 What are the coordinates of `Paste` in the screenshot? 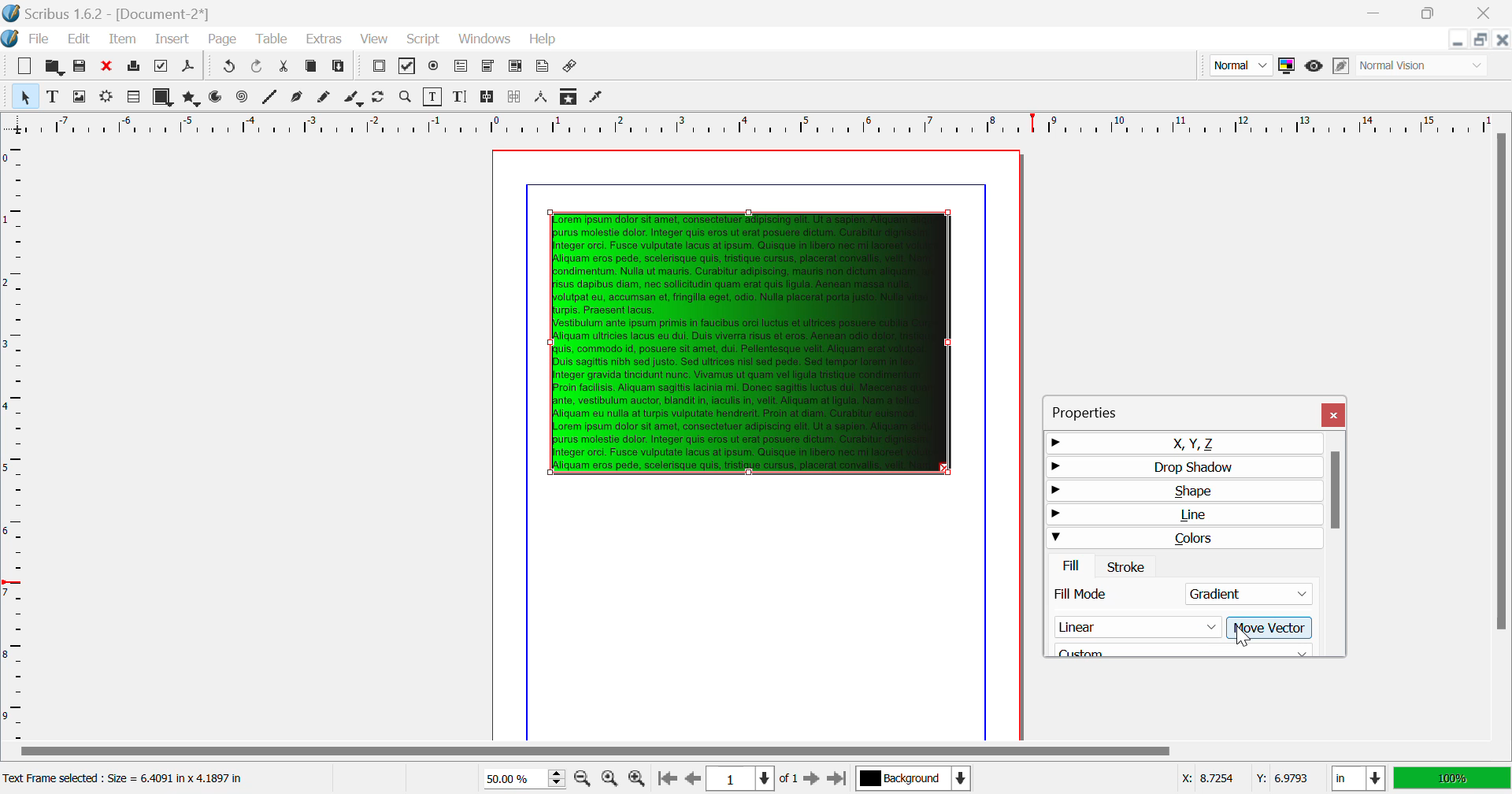 It's located at (340, 69).